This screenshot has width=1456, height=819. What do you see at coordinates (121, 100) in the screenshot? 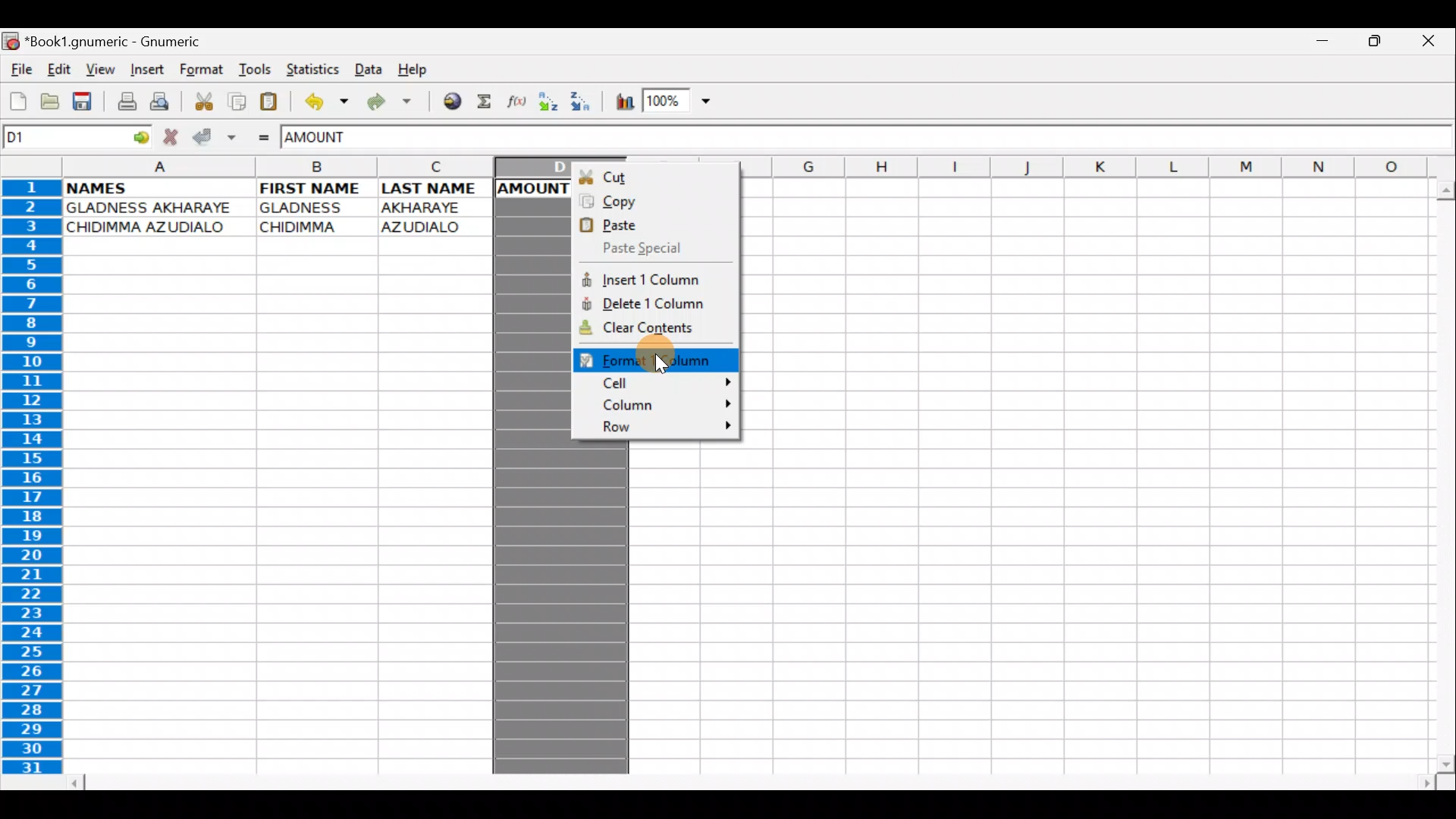
I see `Print file` at bounding box center [121, 100].